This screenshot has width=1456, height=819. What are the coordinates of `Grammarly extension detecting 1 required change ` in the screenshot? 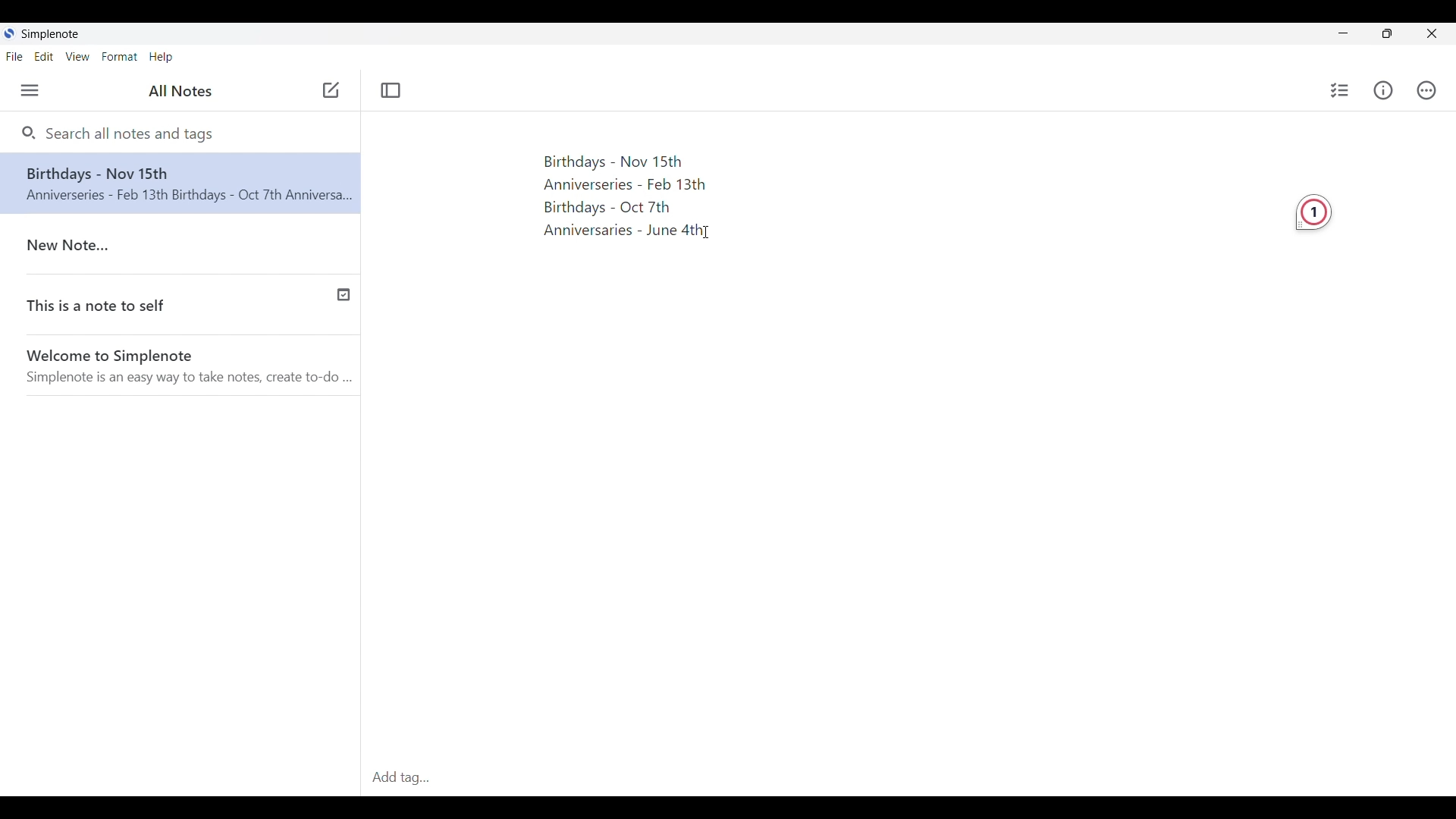 It's located at (1314, 212).